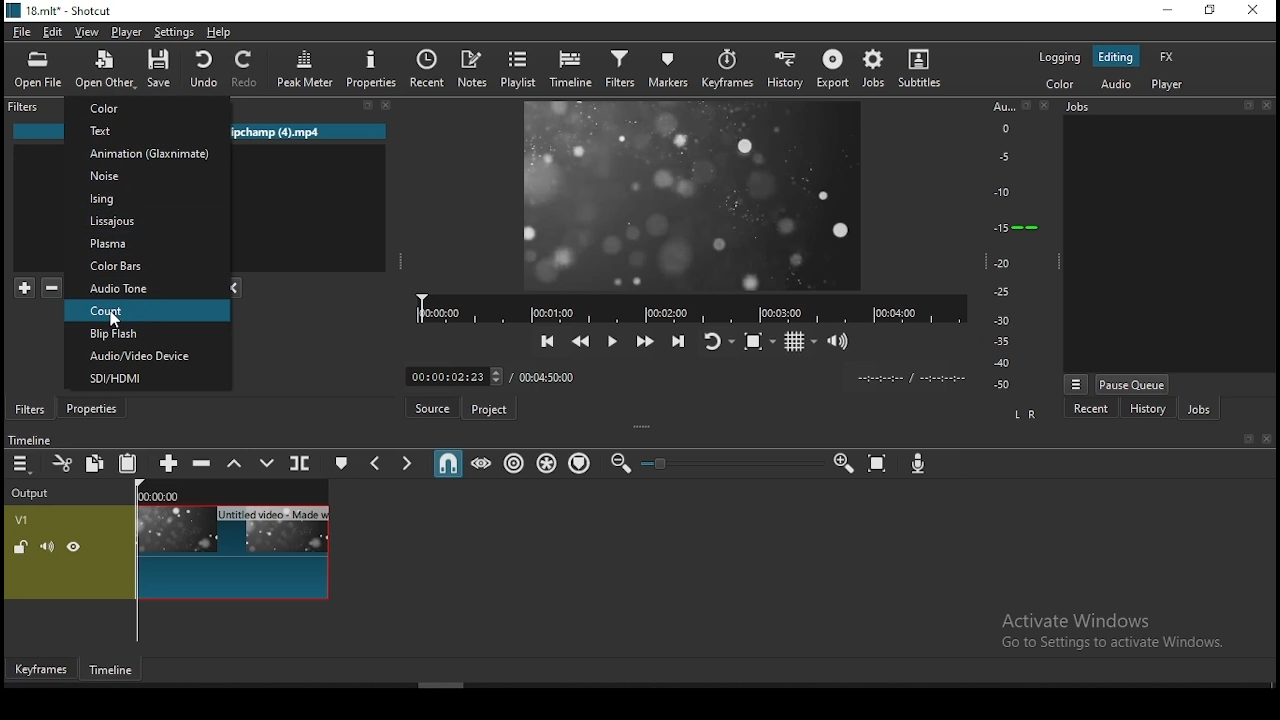 This screenshot has width=1280, height=720. What do you see at coordinates (1121, 85) in the screenshot?
I see `audio` at bounding box center [1121, 85].